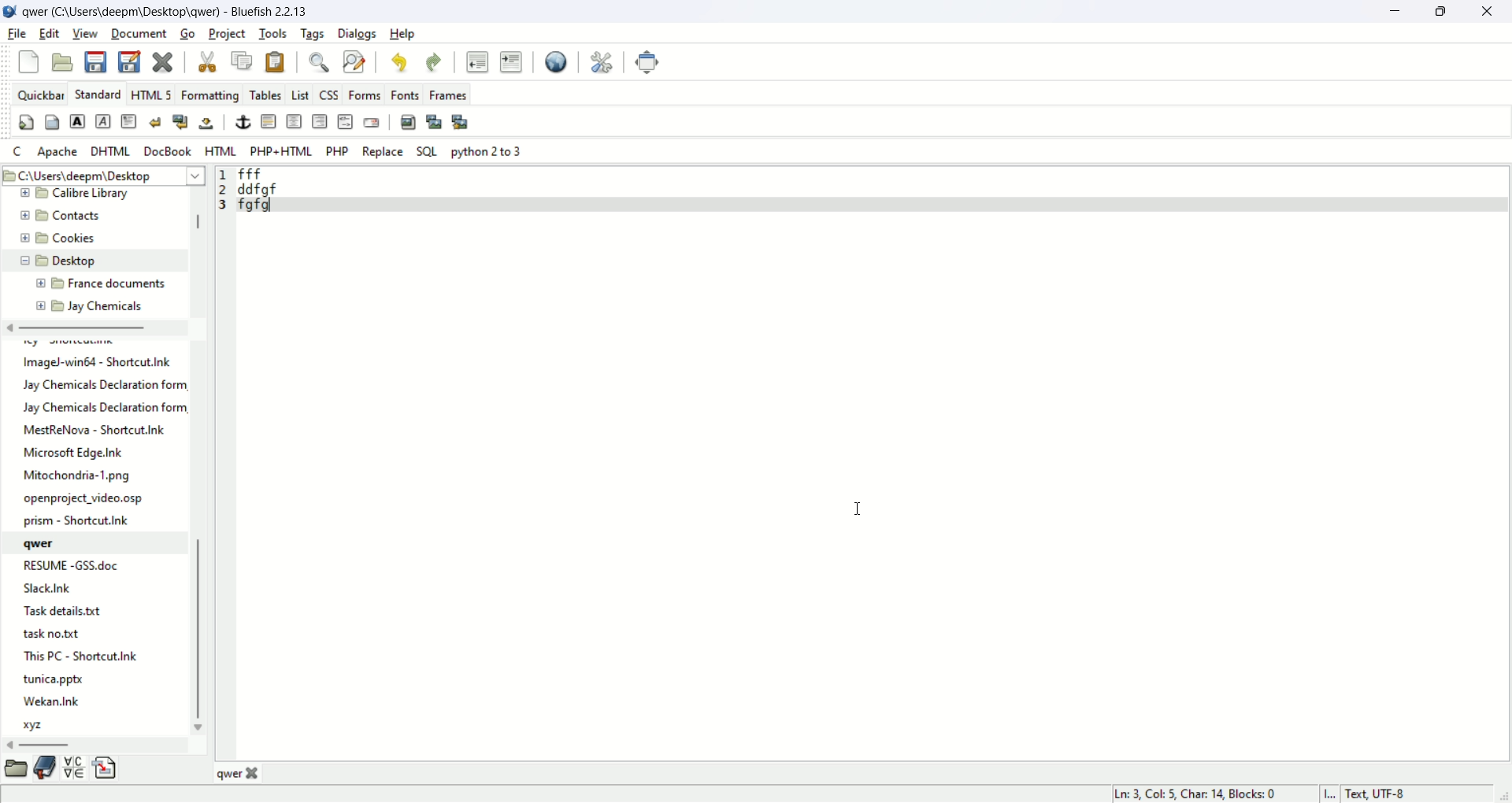  I want to click on insert thumbnail, so click(432, 121).